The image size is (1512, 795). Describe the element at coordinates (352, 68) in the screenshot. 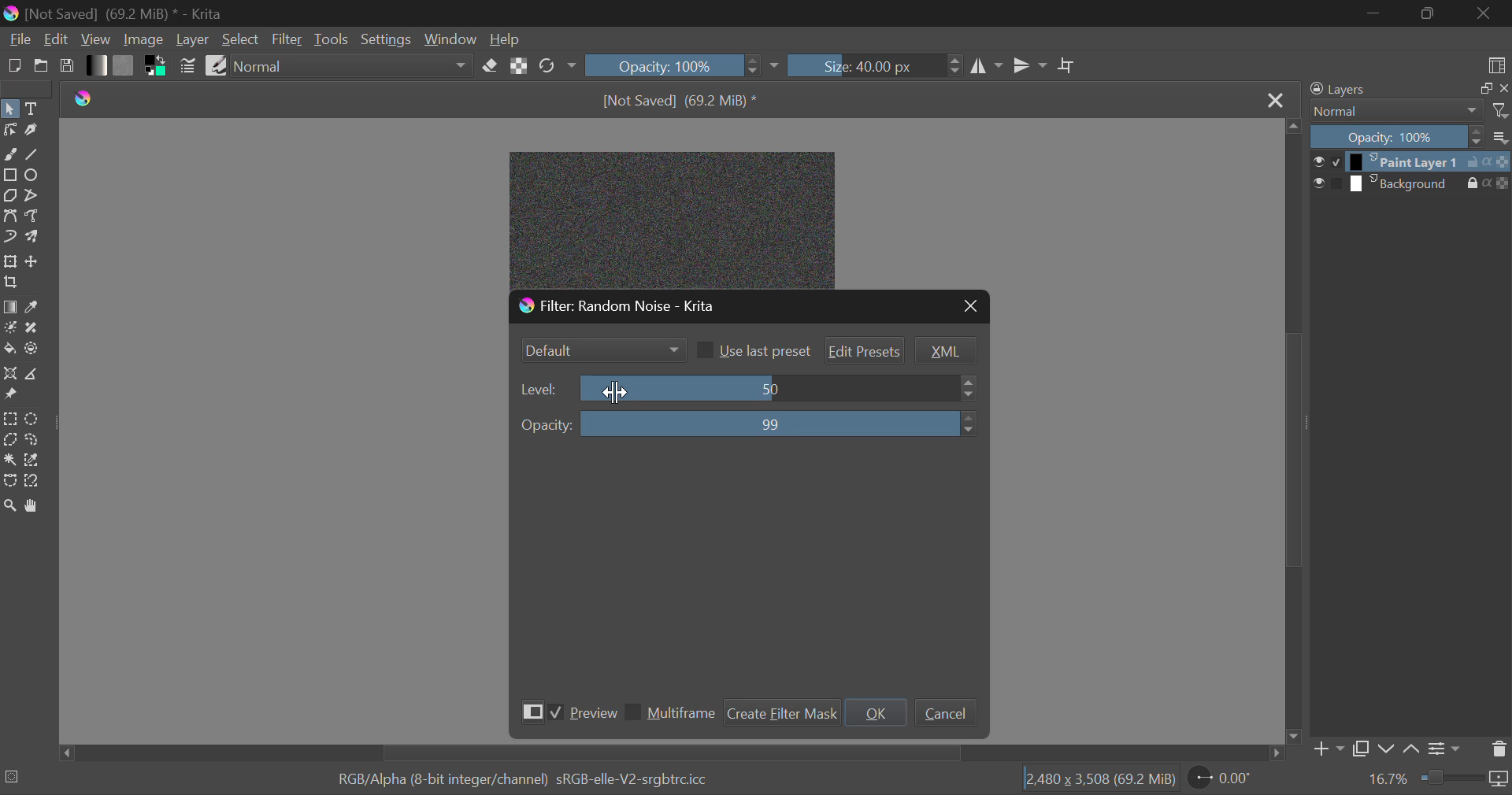

I see `Blending Mode` at that location.